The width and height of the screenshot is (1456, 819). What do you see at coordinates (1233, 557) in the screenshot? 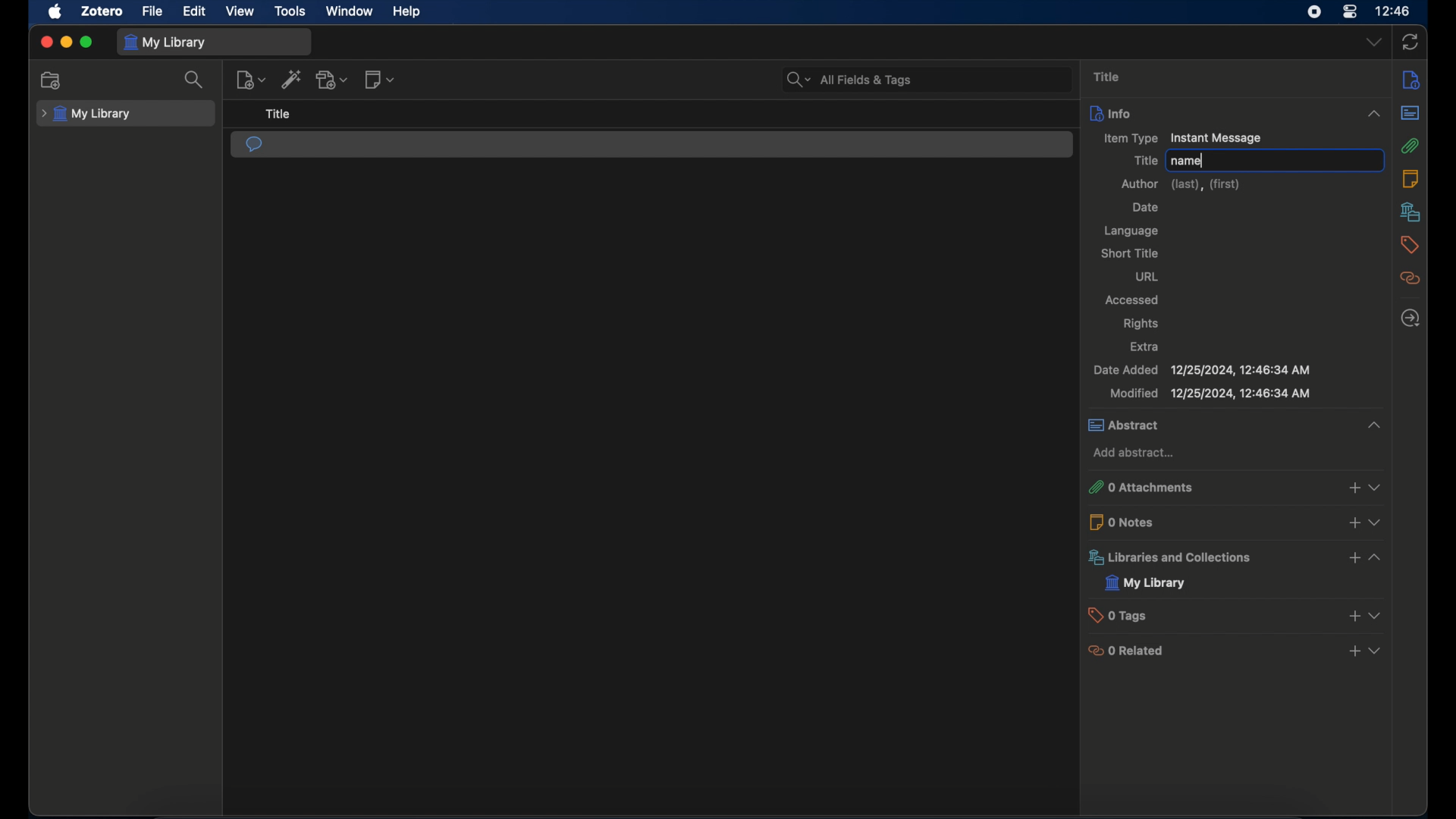
I see `libraries and collections` at bounding box center [1233, 557].